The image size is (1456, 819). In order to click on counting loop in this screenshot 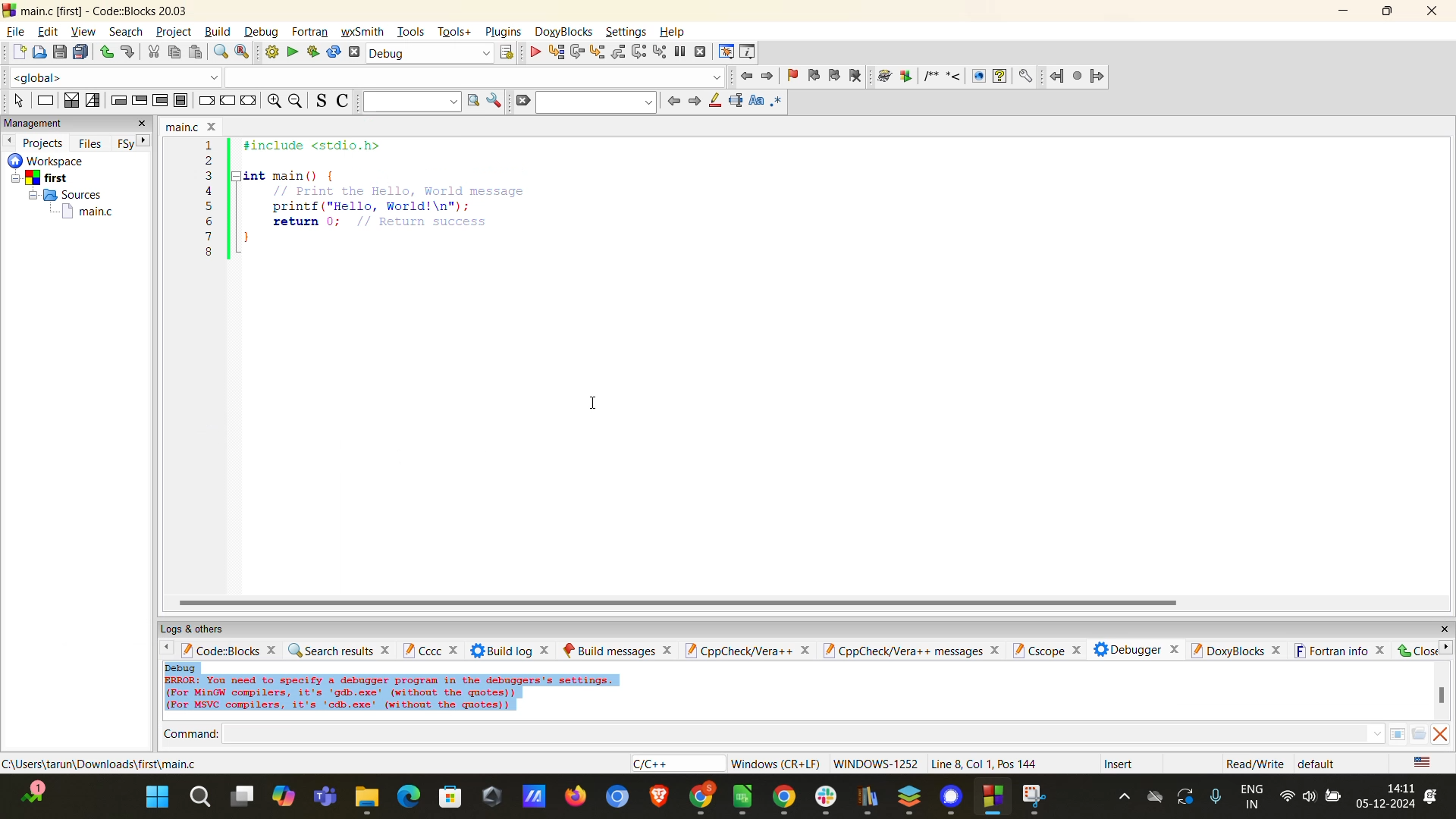, I will do `click(161, 99)`.